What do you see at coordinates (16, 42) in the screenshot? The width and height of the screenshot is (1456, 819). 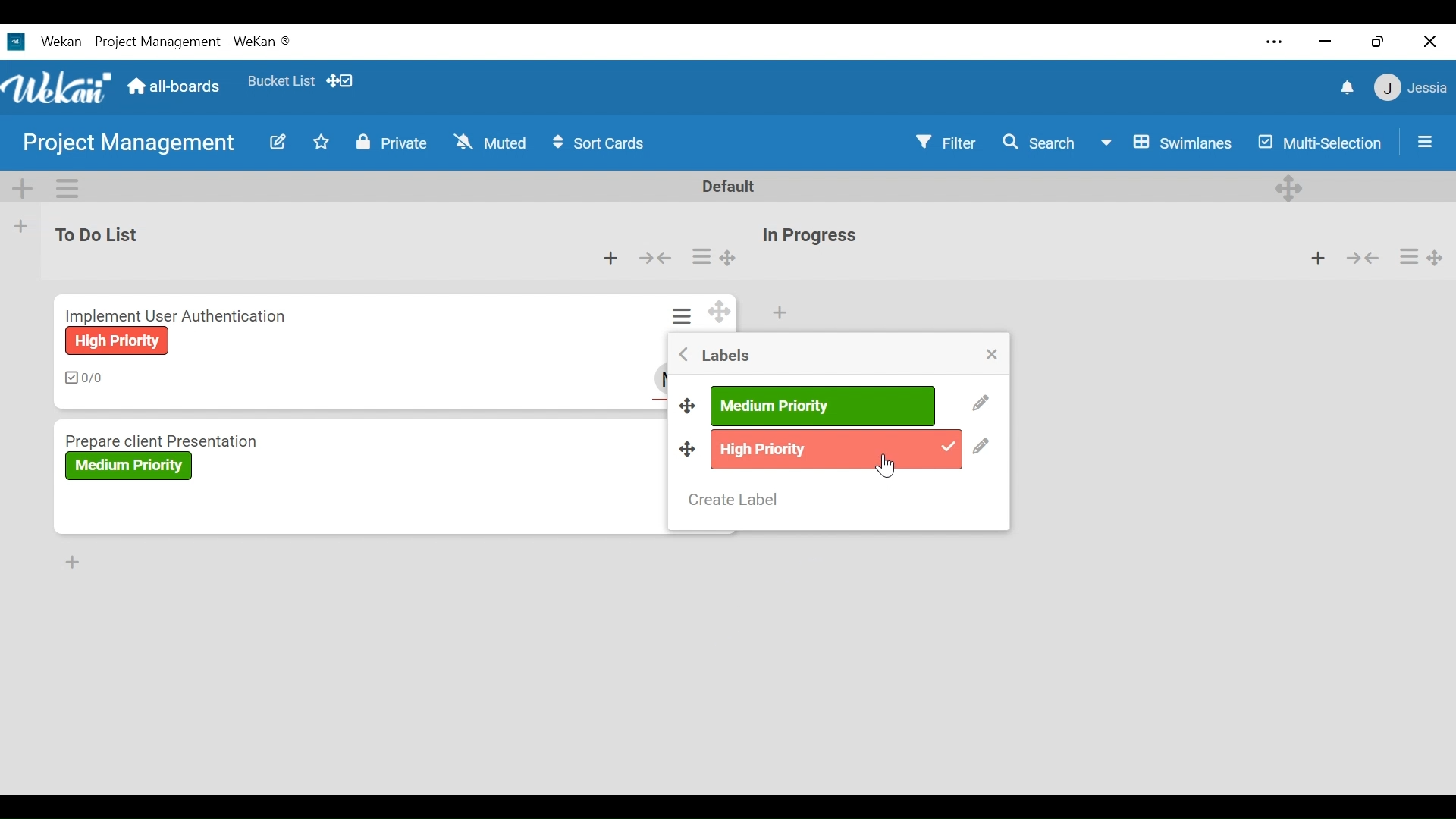 I see `Software logo` at bounding box center [16, 42].